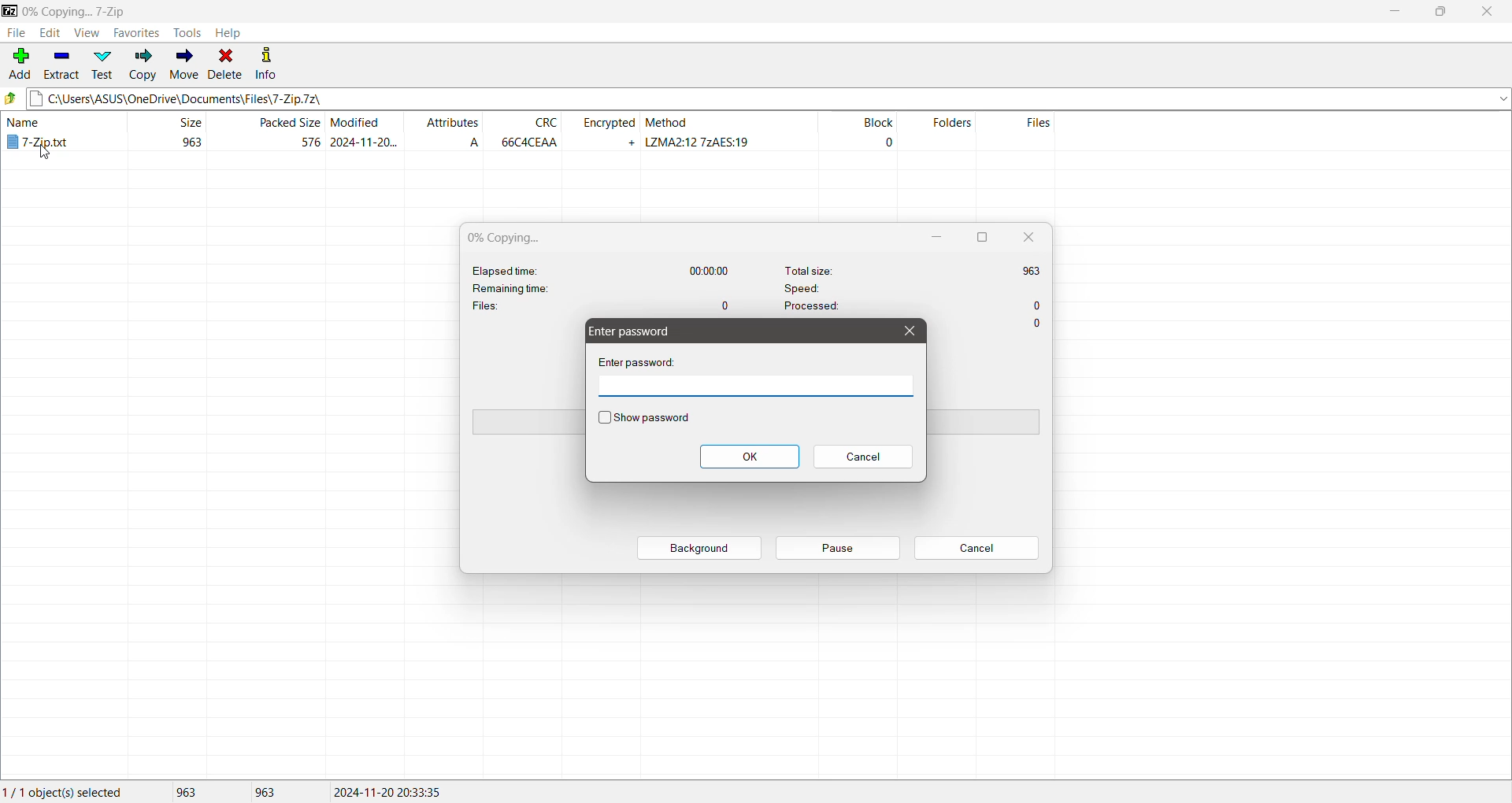 The width and height of the screenshot is (1512, 803). I want to click on Restore Down, so click(1446, 11).